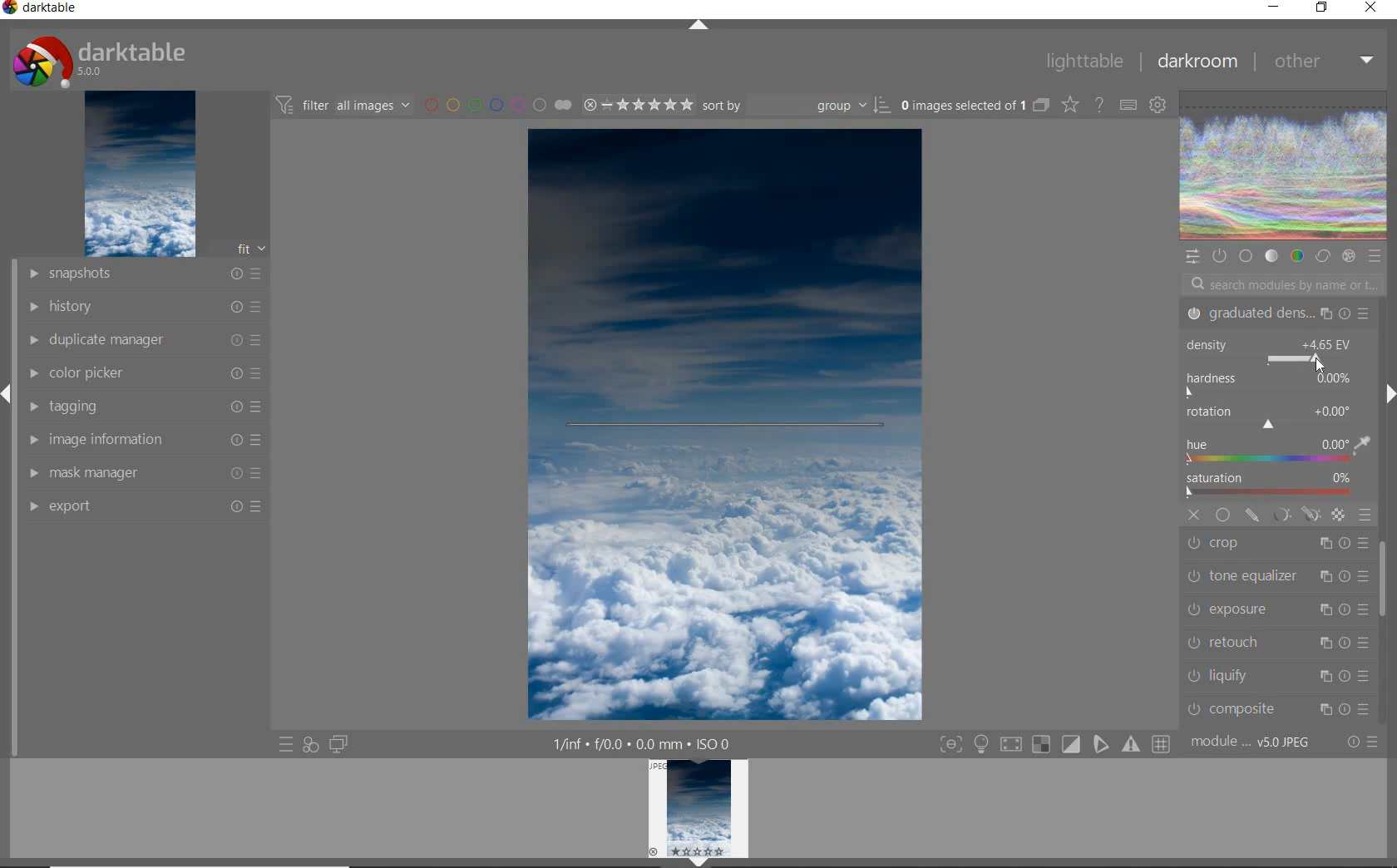 The width and height of the screenshot is (1397, 868). What do you see at coordinates (1098, 104) in the screenshot?
I see `ENABLE FOR ONLINE HELP` at bounding box center [1098, 104].